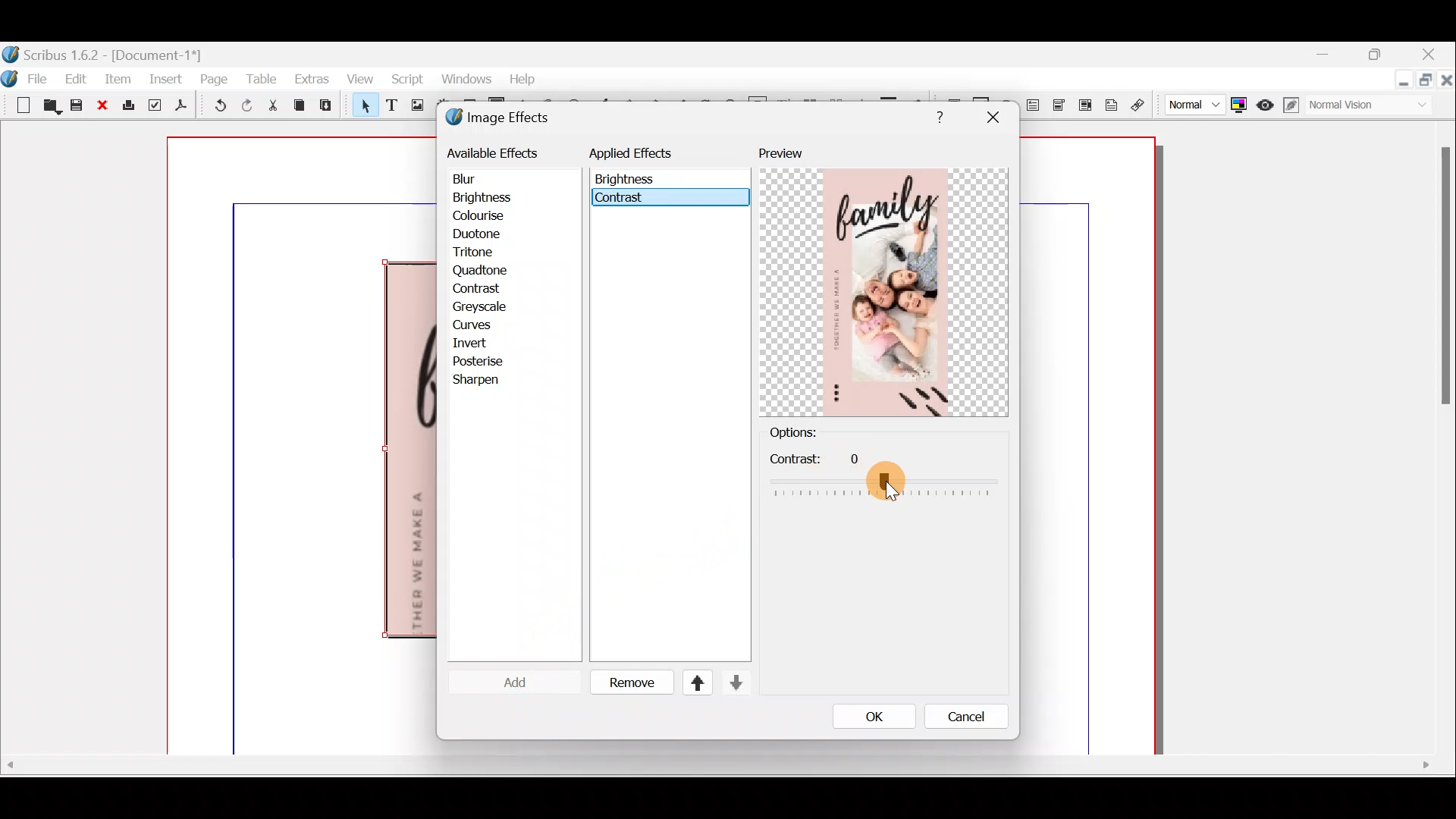 The image size is (1456, 819). I want to click on Preflight verifier, so click(153, 108).